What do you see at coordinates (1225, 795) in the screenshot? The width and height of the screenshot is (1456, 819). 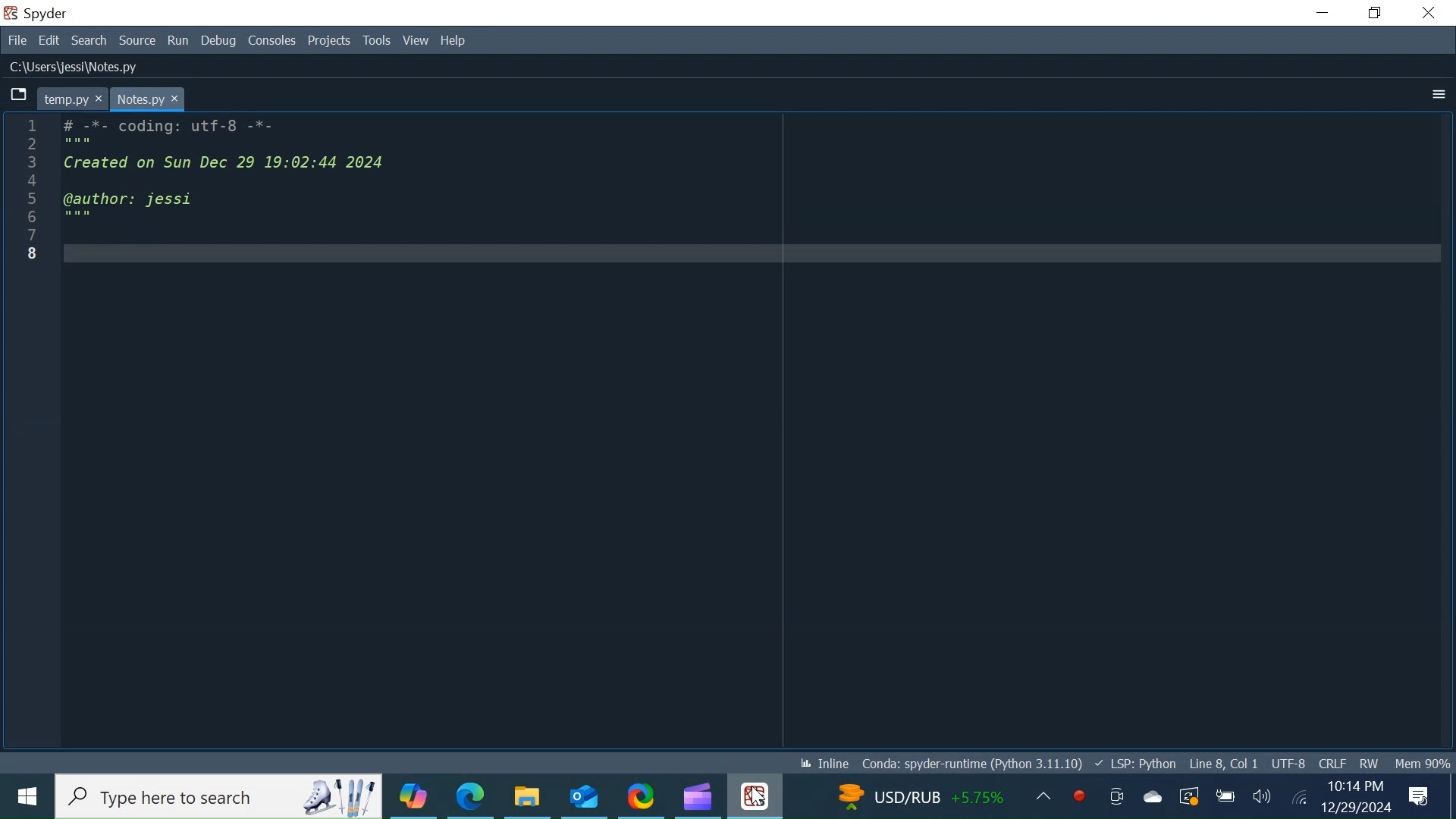 I see `Charge` at bounding box center [1225, 795].